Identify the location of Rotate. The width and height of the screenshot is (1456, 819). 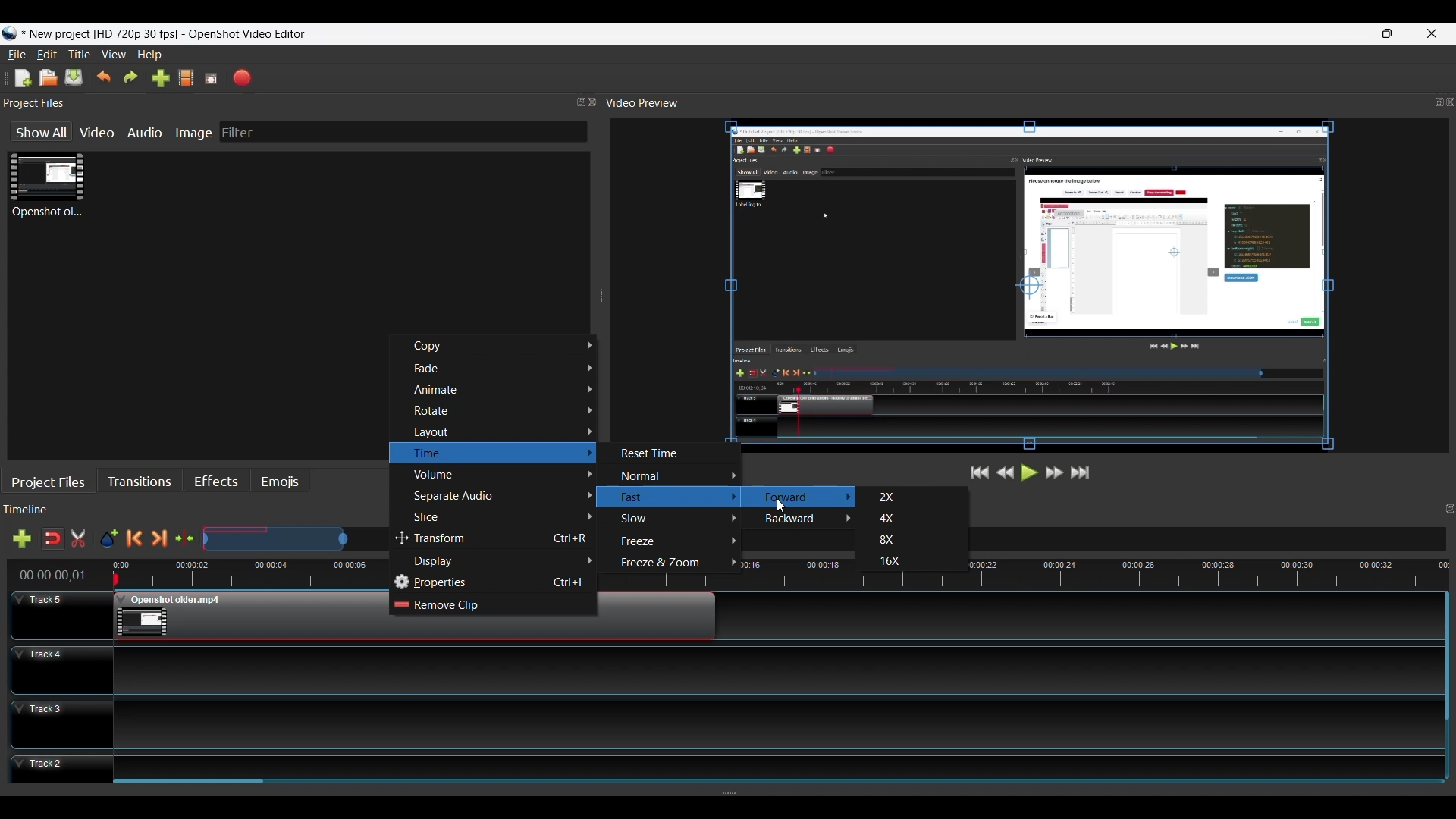
(503, 412).